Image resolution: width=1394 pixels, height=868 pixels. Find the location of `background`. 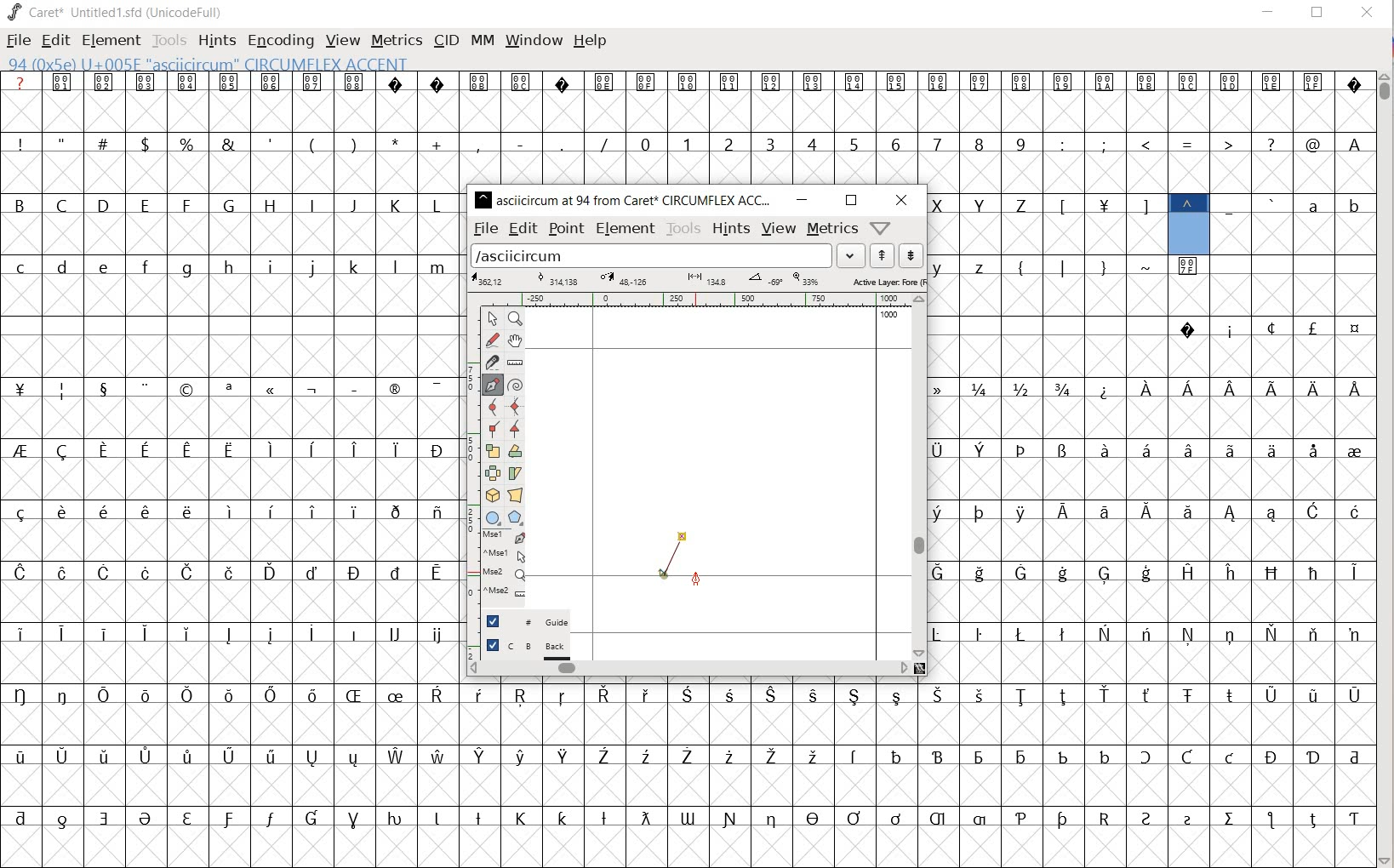

background is located at coordinates (528, 648).